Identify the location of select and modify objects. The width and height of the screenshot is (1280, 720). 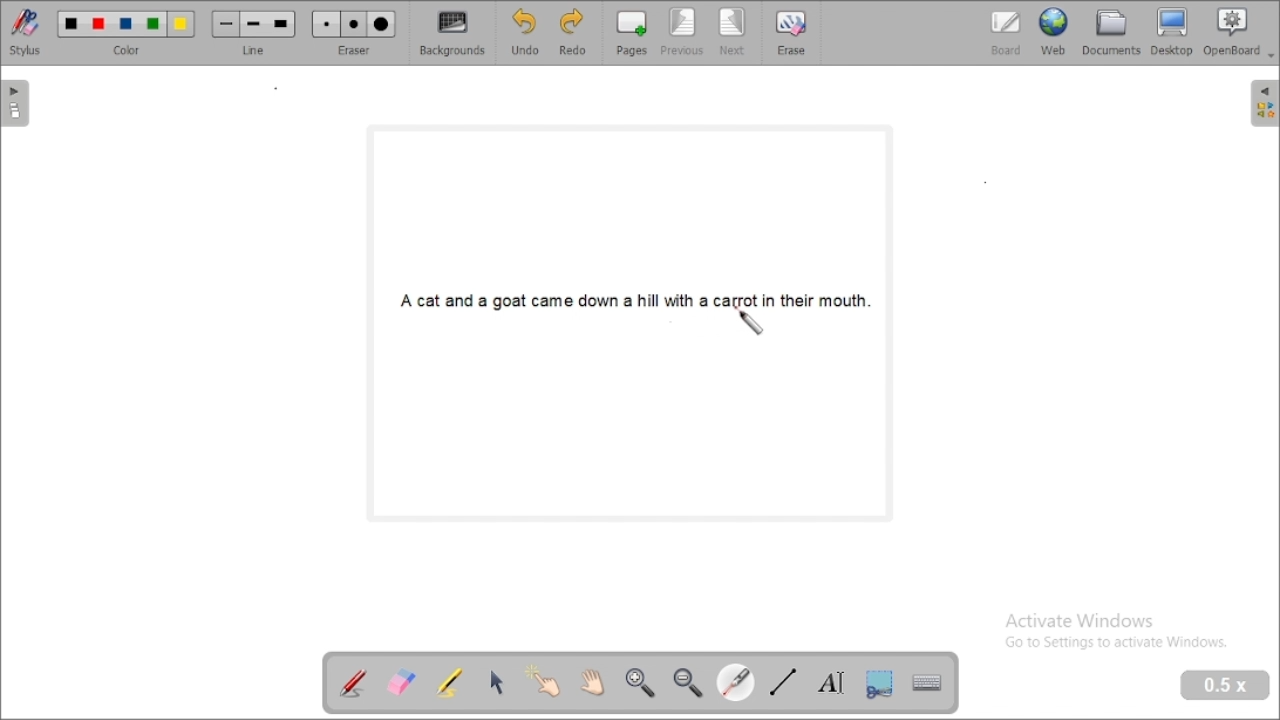
(496, 683).